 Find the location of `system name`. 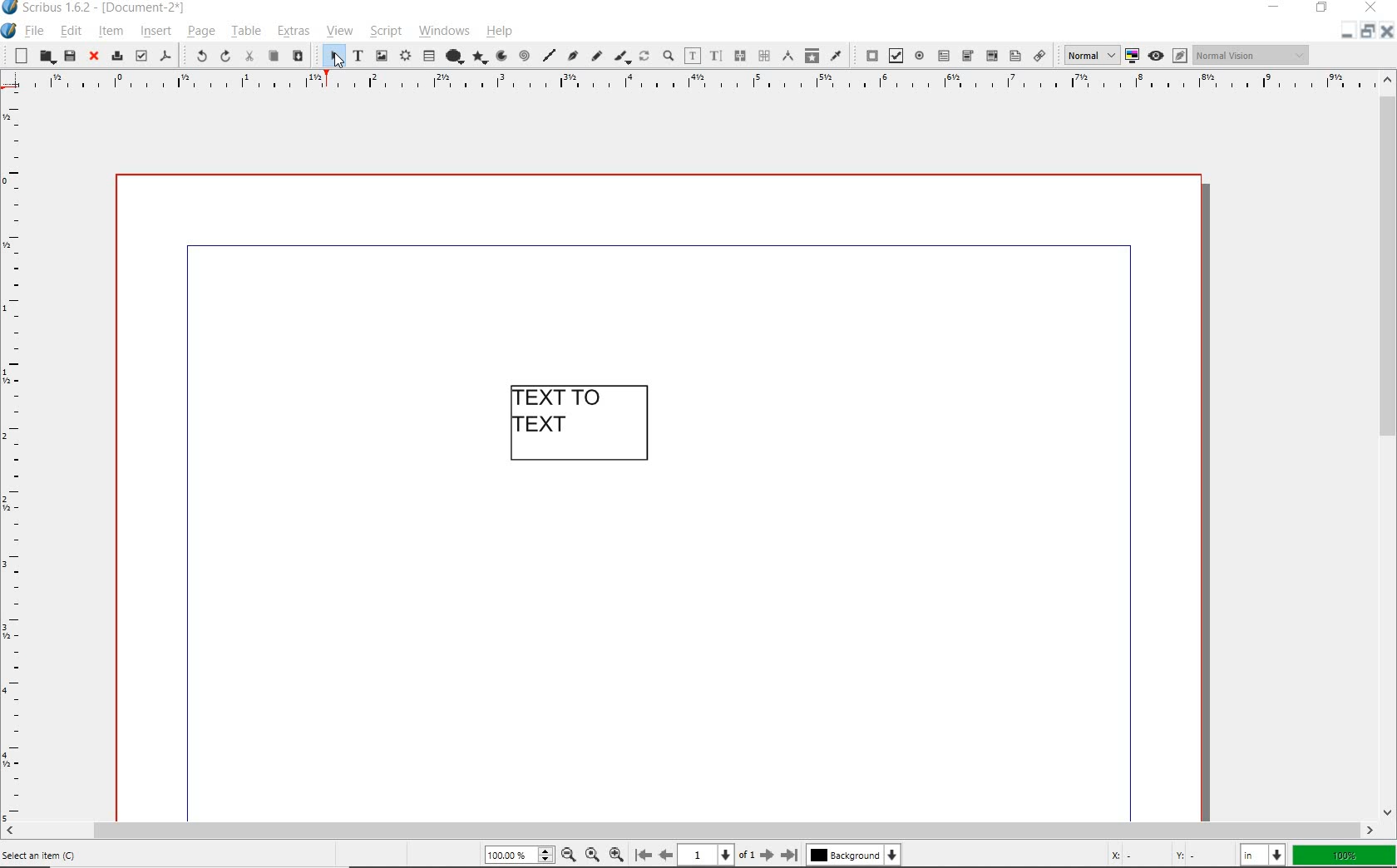

system name is located at coordinates (107, 8).